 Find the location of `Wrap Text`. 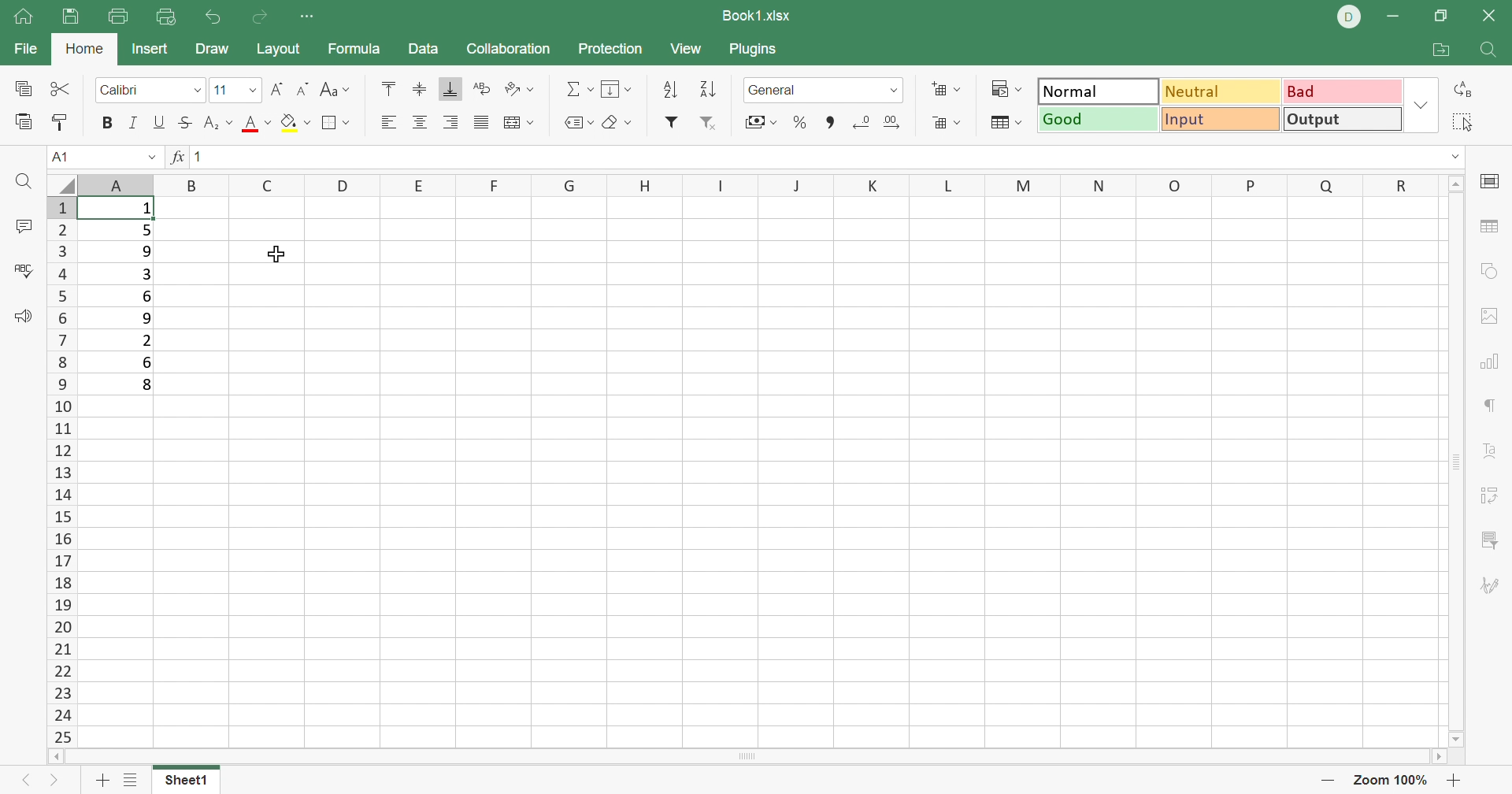

Wrap Text is located at coordinates (480, 87).